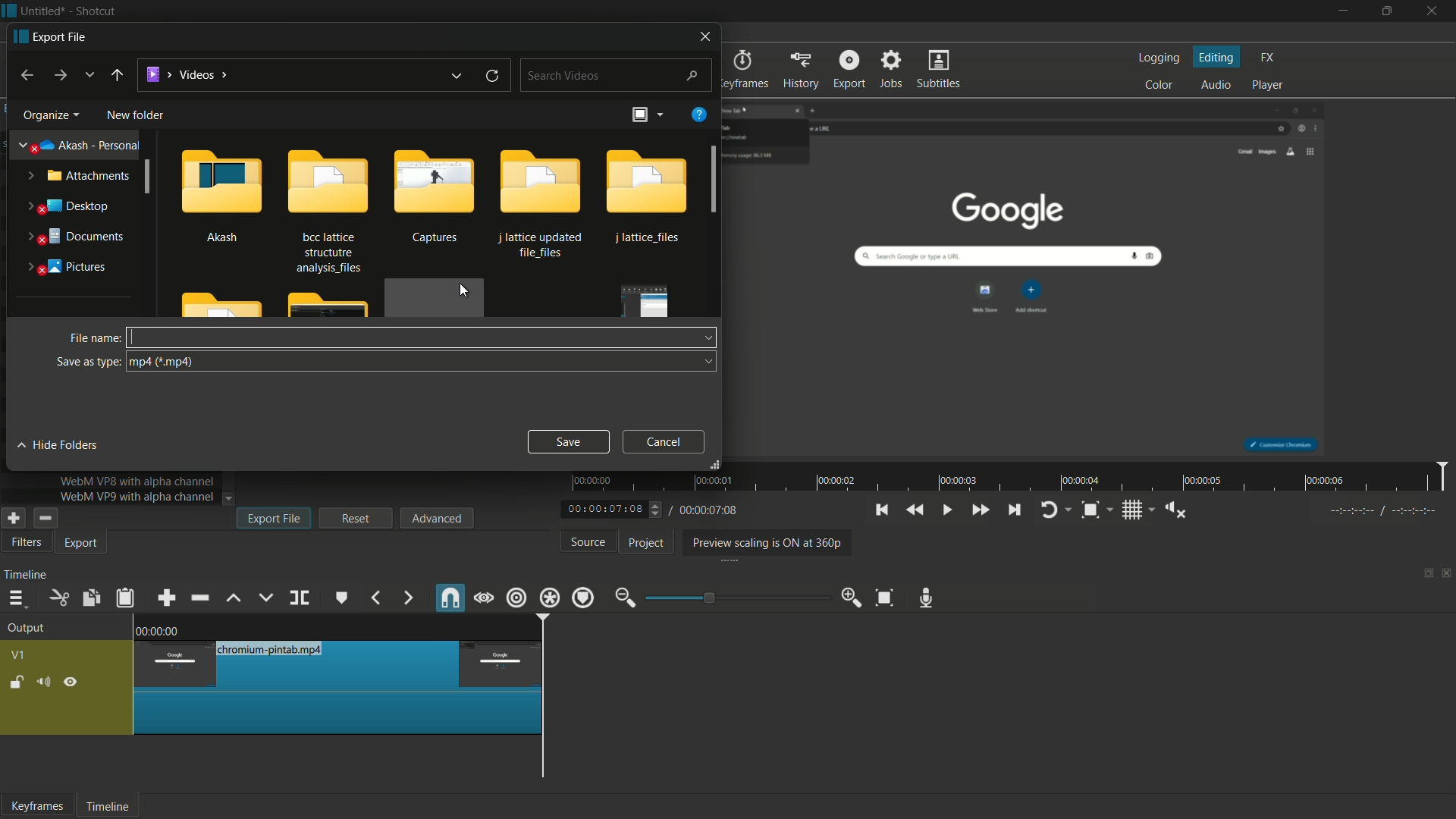 The width and height of the screenshot is (1456, 819). Describe the element at coordinates (235, 599) in the screenshot. I see `lift` at that location.